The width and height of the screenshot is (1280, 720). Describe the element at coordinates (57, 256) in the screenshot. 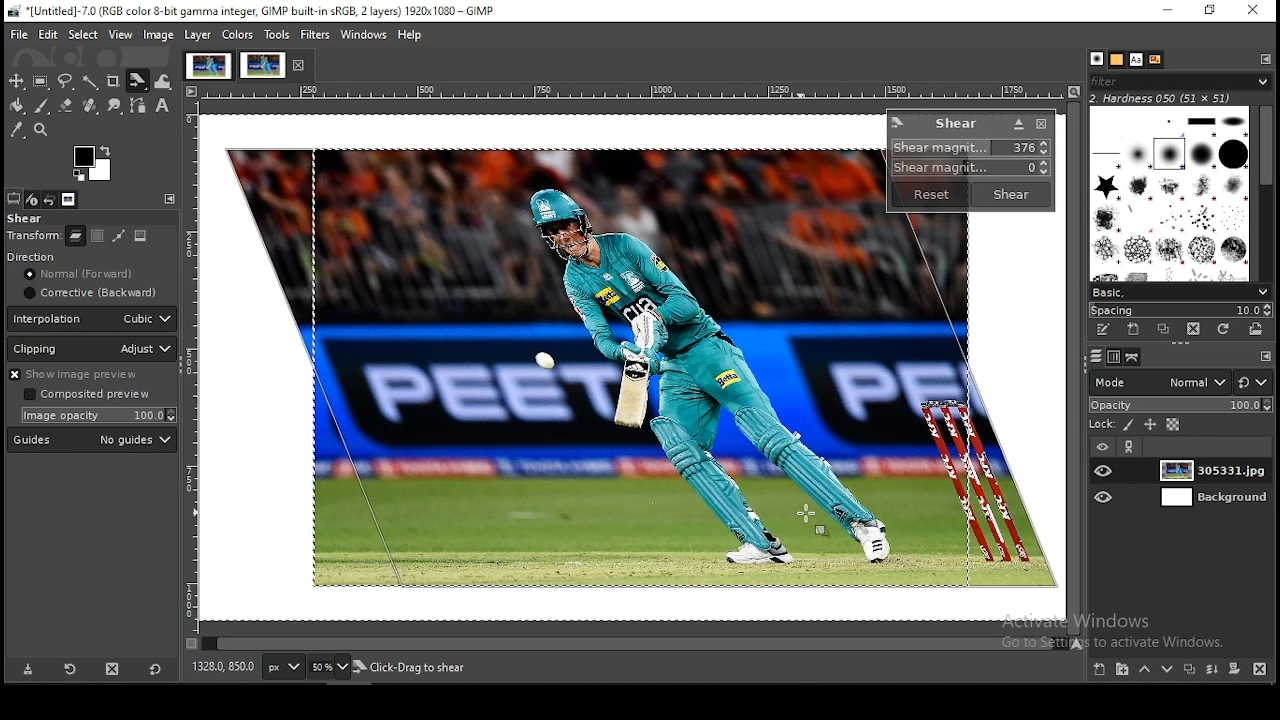

I see `direction` at that location.